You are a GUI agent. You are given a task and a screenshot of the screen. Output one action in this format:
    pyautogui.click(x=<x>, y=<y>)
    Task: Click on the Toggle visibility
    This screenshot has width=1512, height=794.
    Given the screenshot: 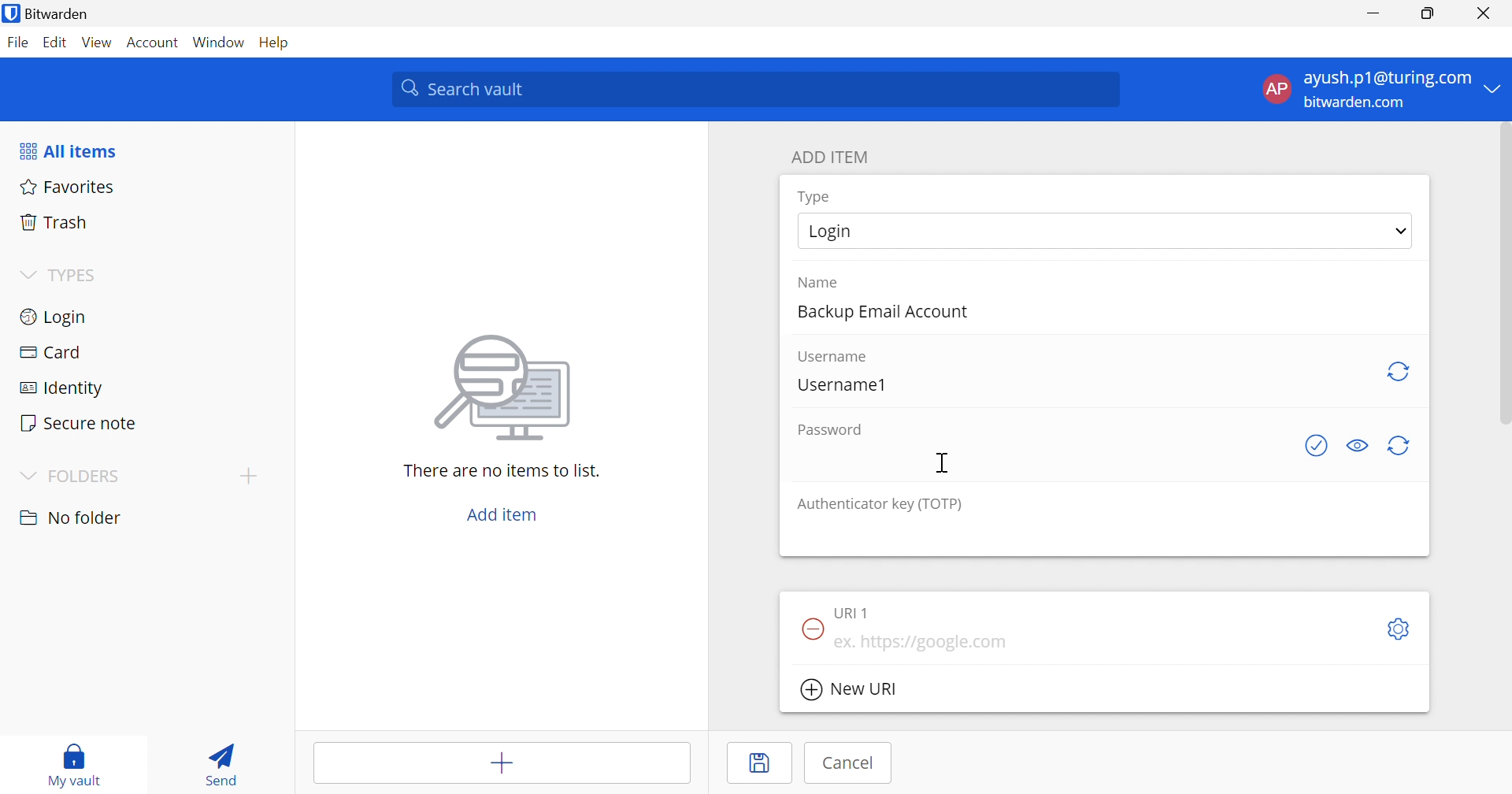 What is the action you would take?
    pyautogui.click(x=1355, y=446)
    